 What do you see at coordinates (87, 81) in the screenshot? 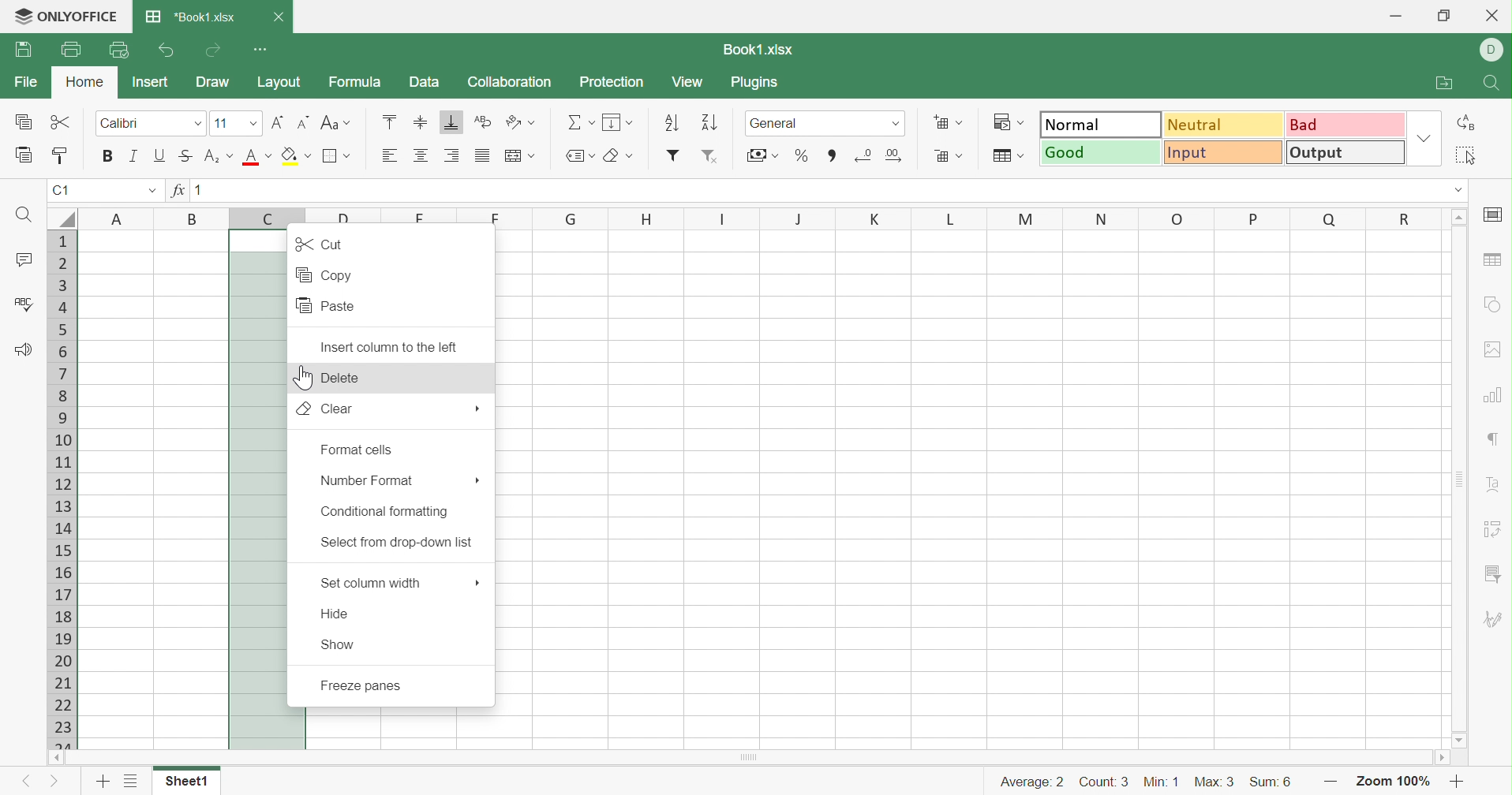
I see `Home` at bounding box center [87, 81].